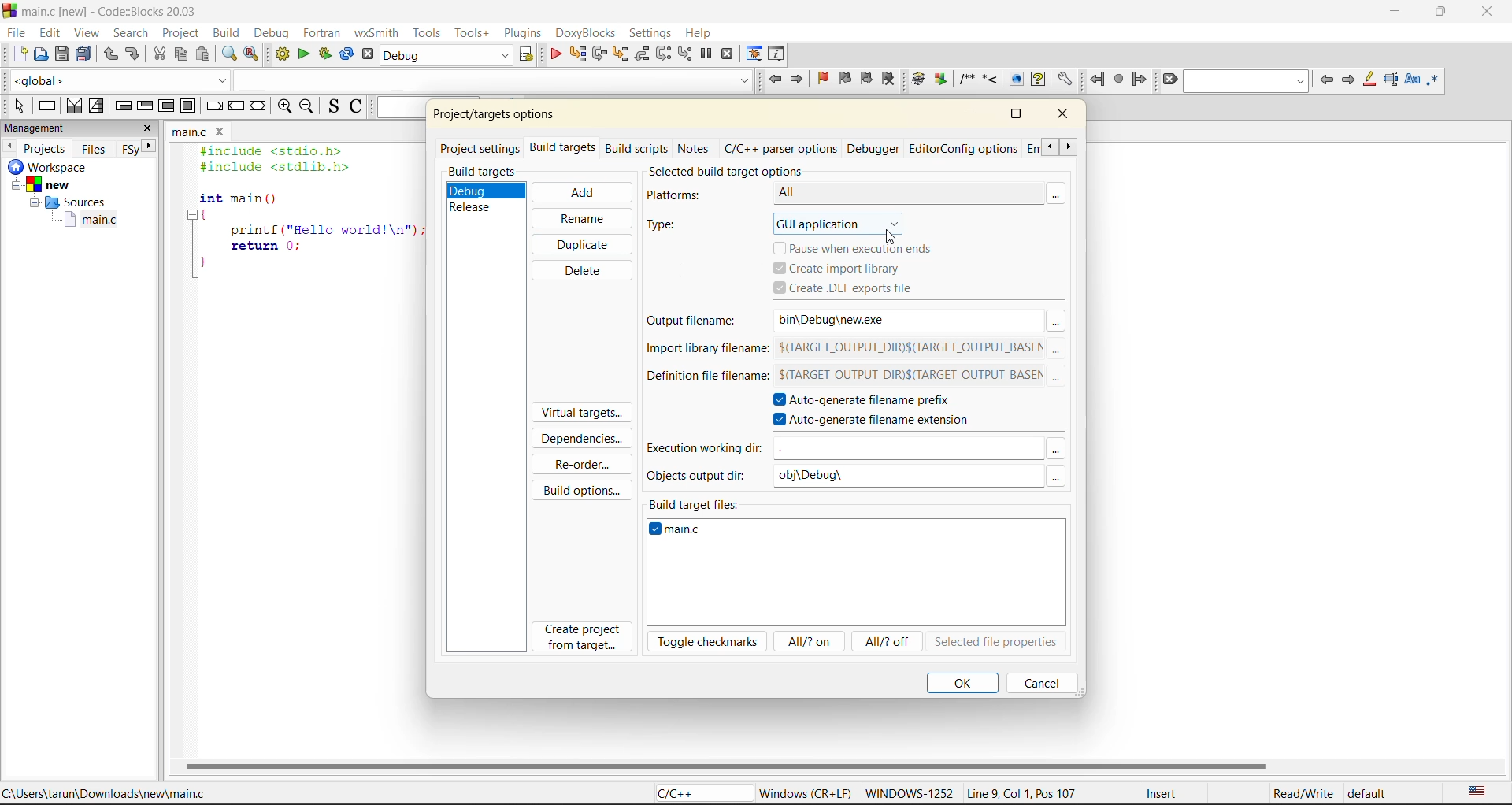 This screenshot has width=1512, height=805. I want to click on More, so click(1063, 192).